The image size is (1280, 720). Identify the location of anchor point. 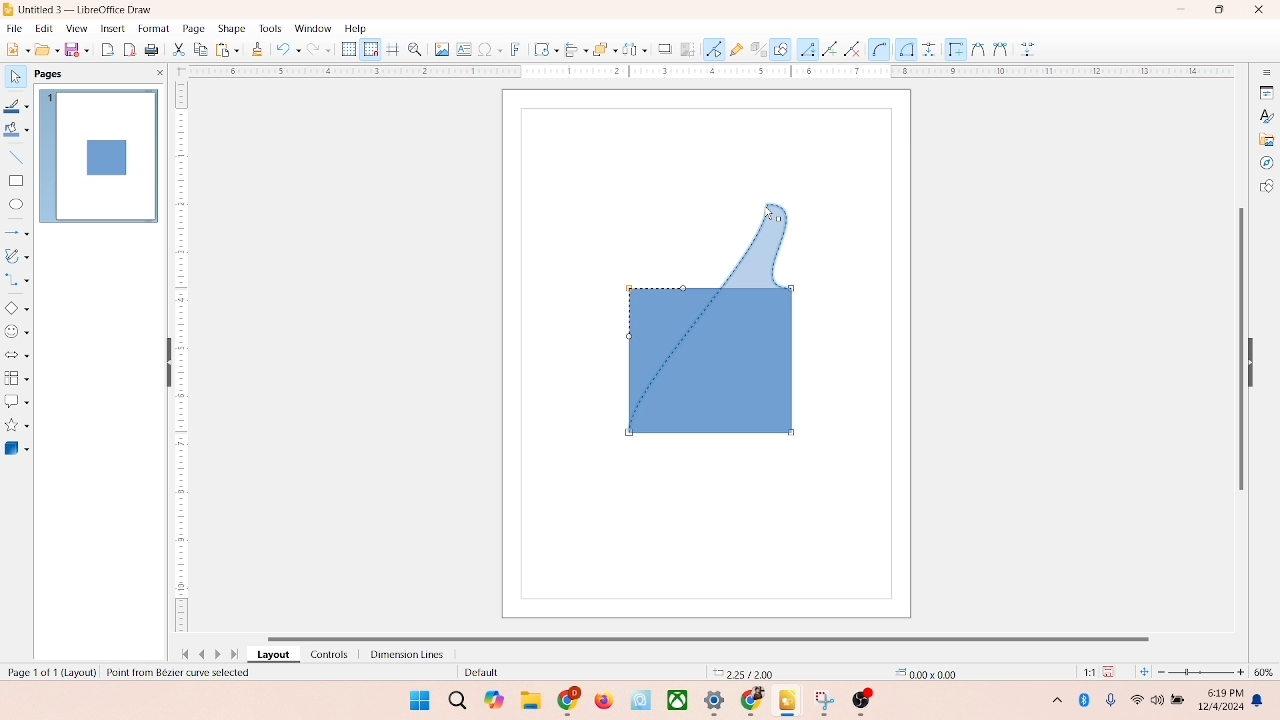
(920, 671).